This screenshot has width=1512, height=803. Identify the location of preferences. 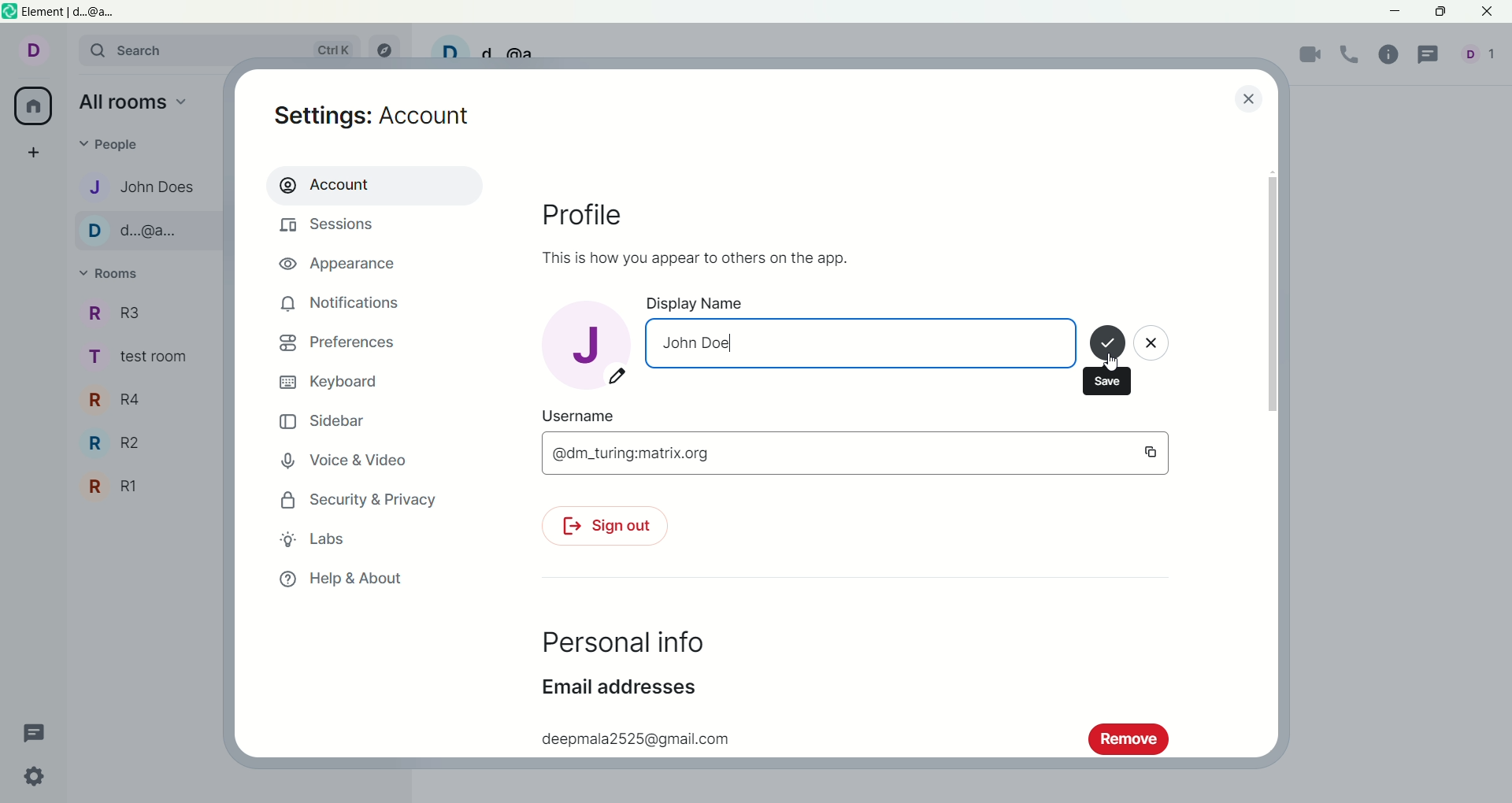
(337, 346).